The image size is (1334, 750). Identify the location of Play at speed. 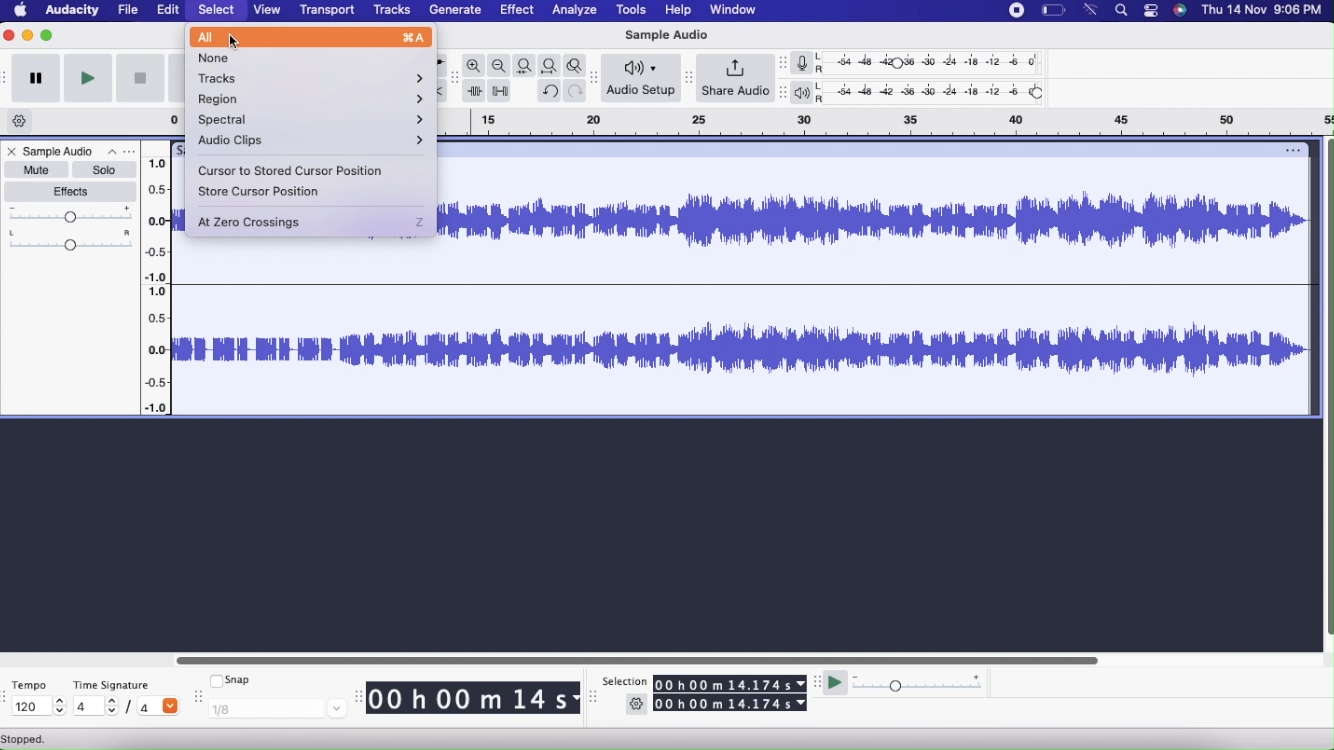
(836, 684).